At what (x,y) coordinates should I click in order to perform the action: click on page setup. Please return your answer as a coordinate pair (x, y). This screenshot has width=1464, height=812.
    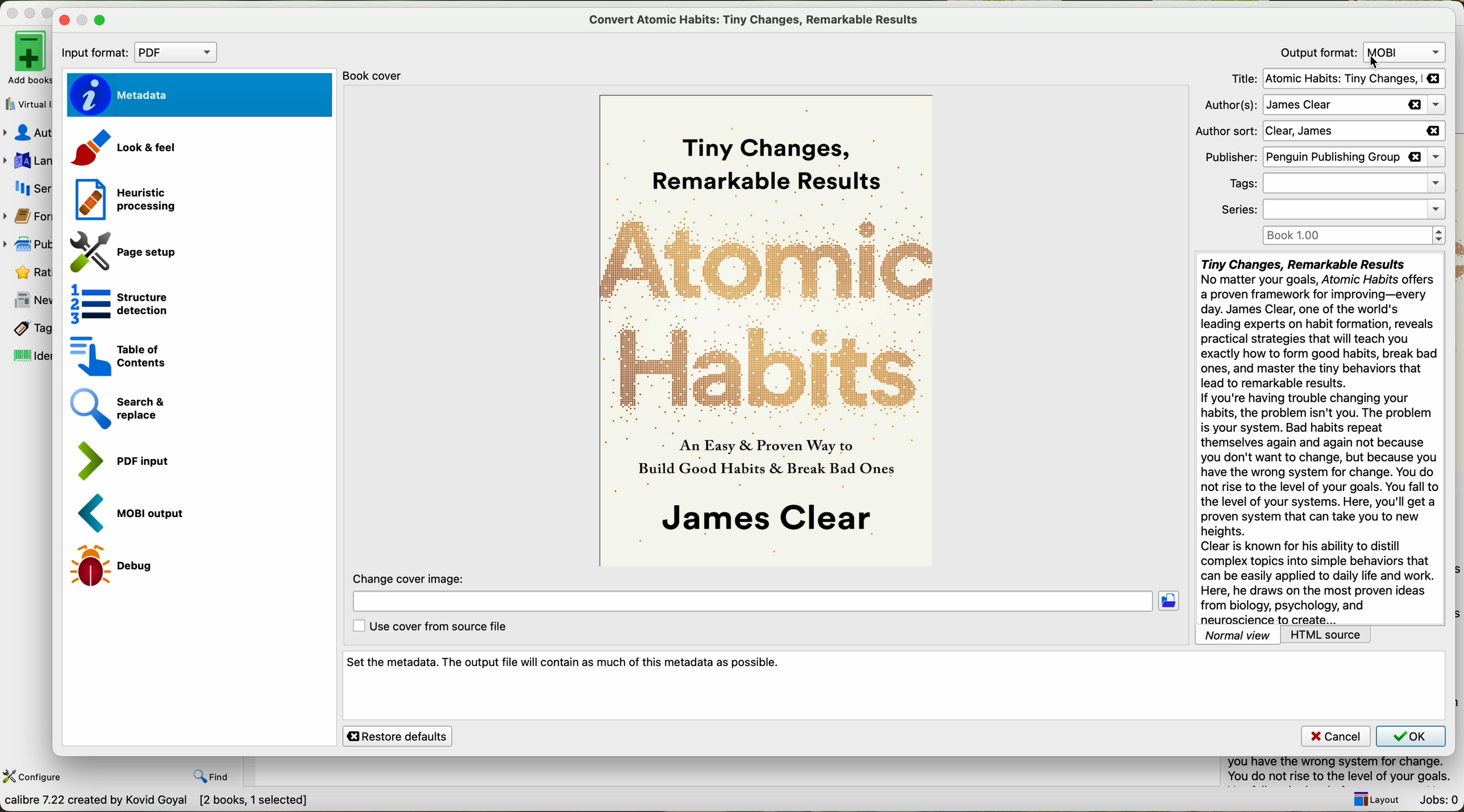
    Looking at the image, I should click on (118, 249).